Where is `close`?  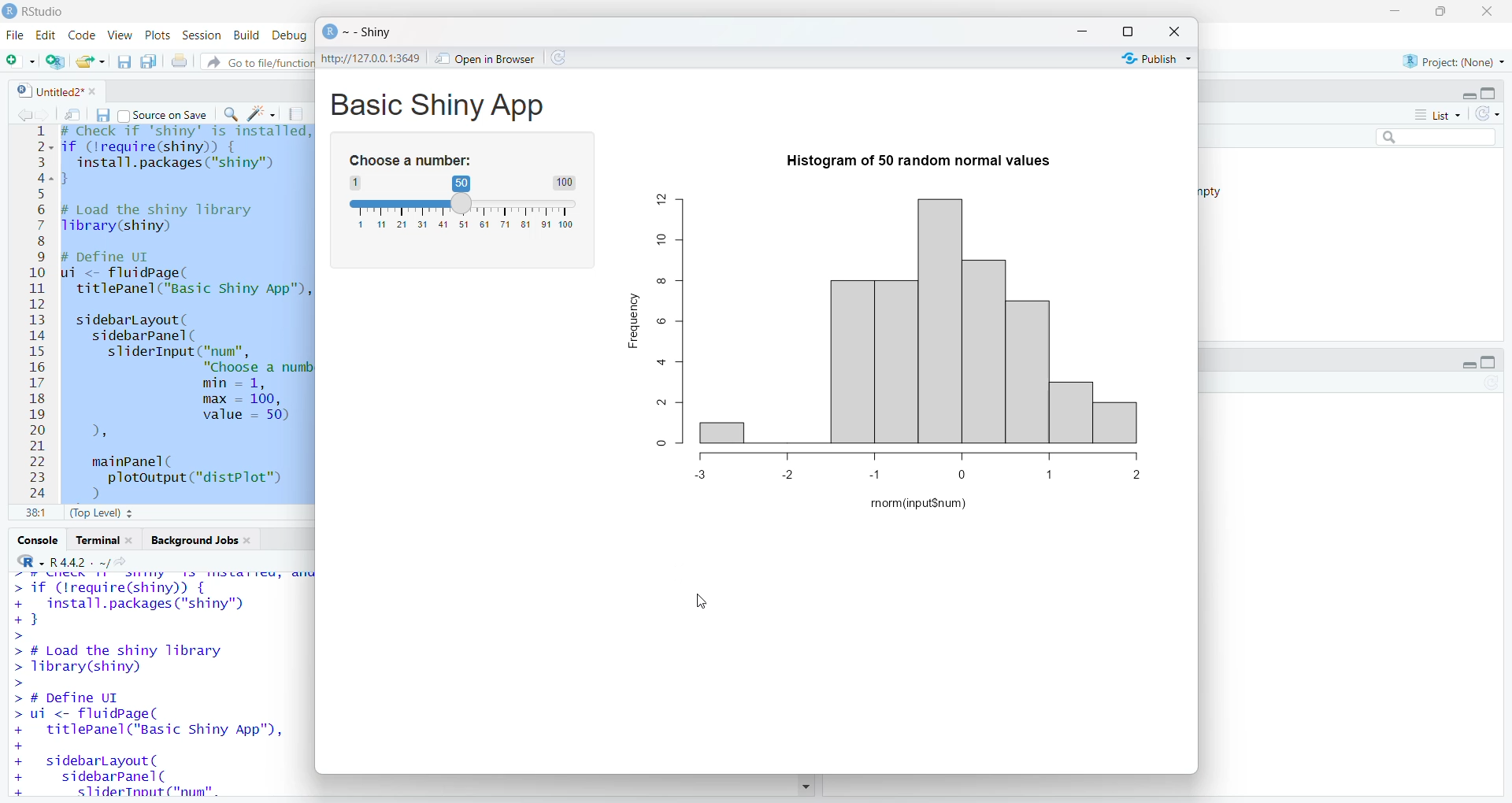
close is located at coordinates (1485, 11).